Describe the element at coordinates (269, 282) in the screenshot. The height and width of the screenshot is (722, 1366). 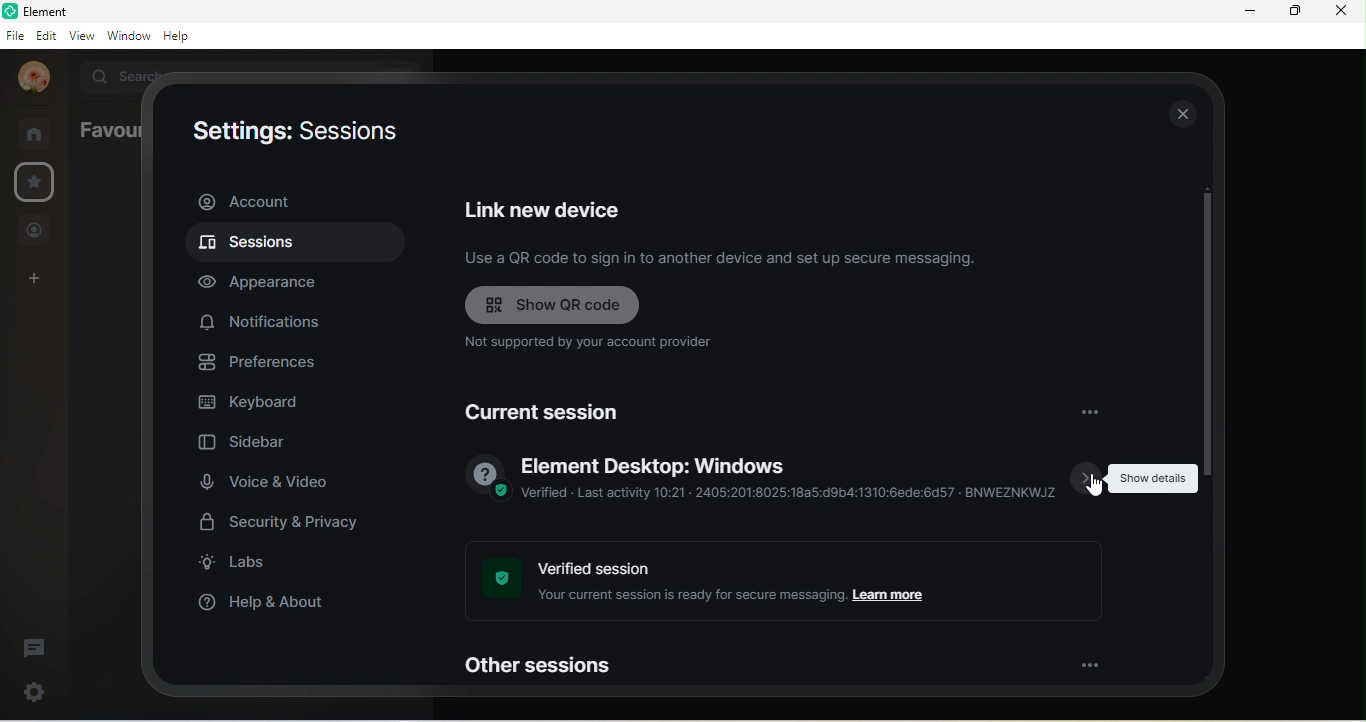
I see `appearance` at that location.